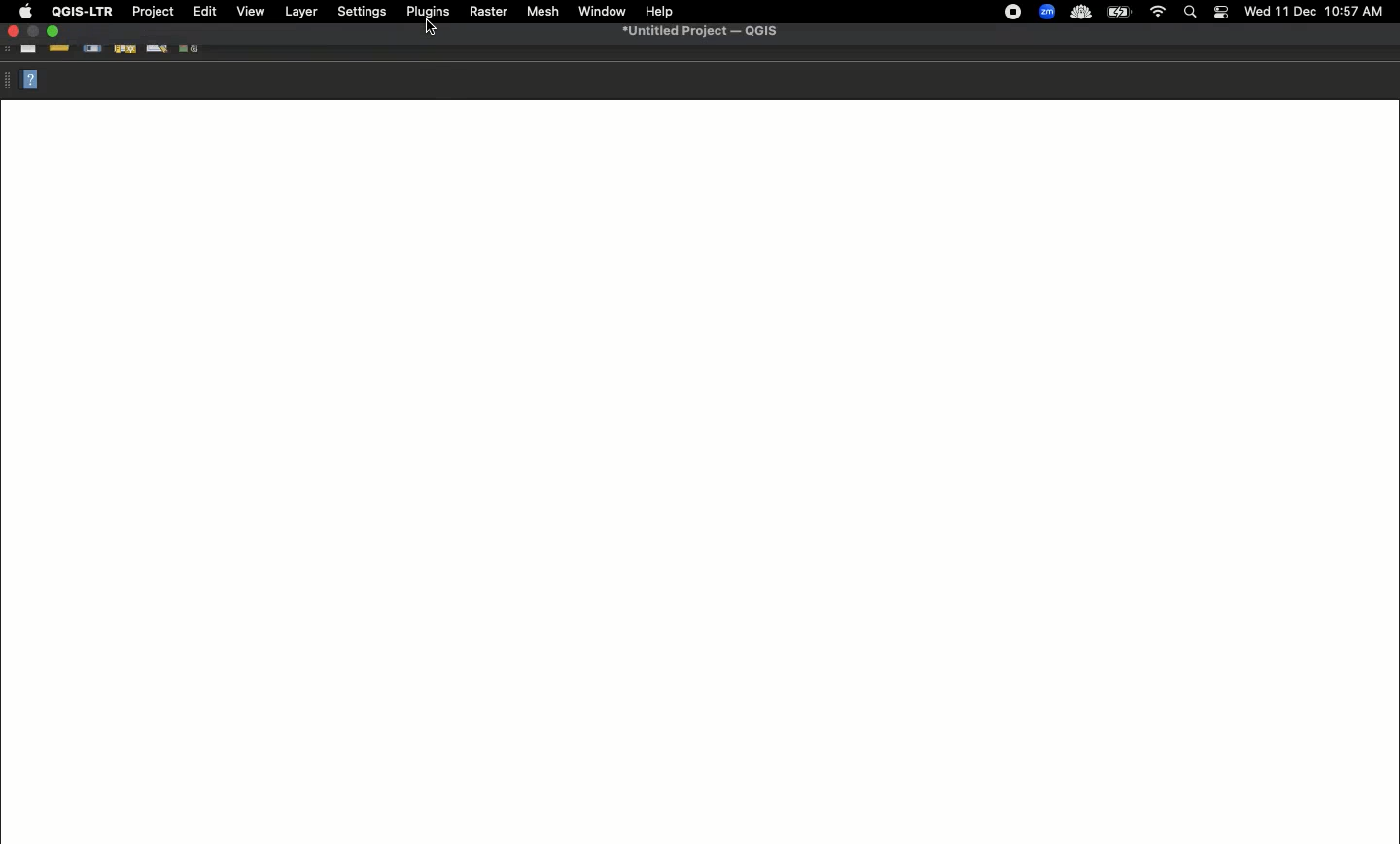 The image size is (1400, 844). Describe the element at coordinates (300, 12) in the screenshot. I see `Layer` at that location.